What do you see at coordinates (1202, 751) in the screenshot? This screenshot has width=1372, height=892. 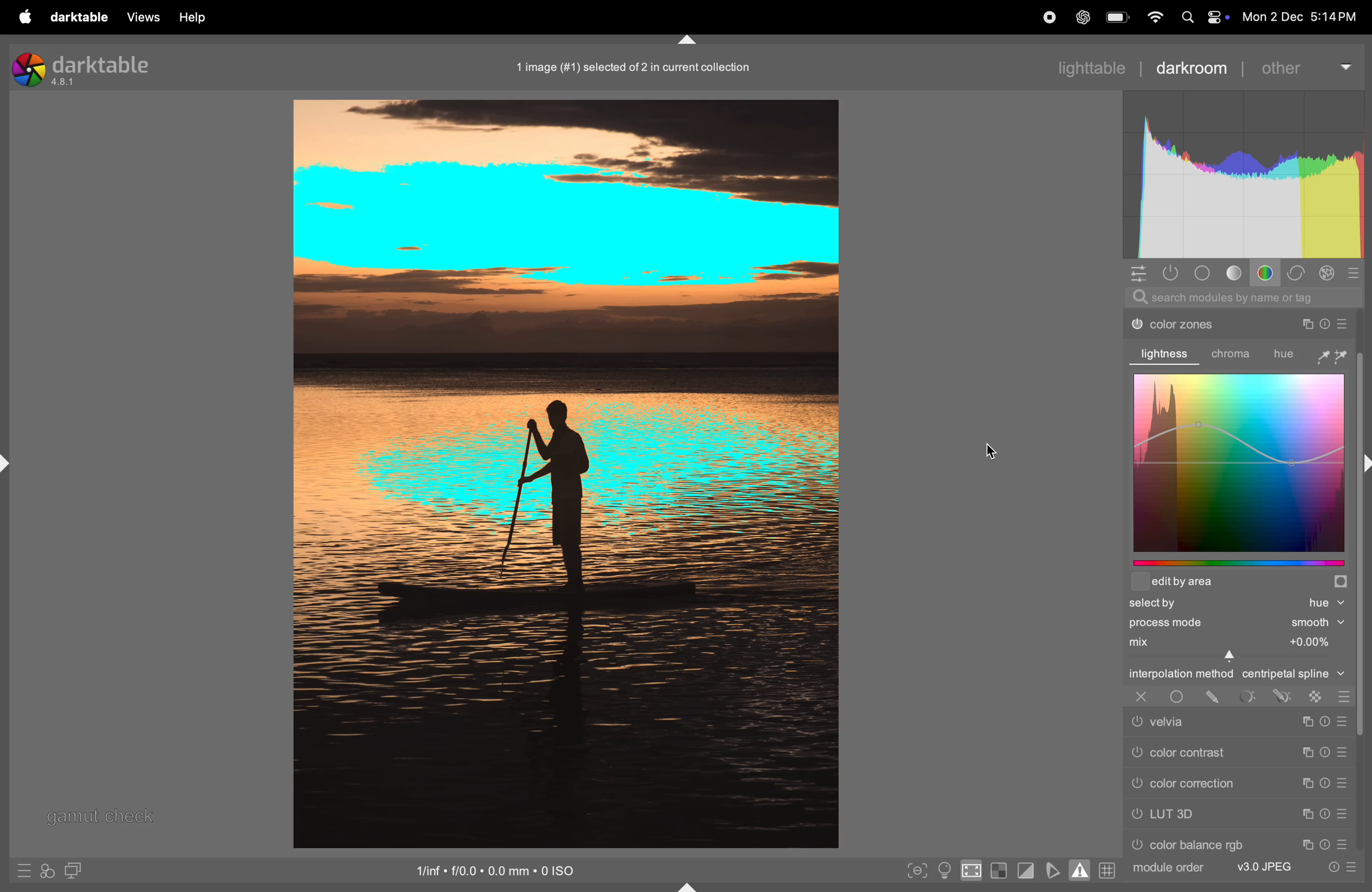 I see `color contrast` at bounding box center [1202, 751].